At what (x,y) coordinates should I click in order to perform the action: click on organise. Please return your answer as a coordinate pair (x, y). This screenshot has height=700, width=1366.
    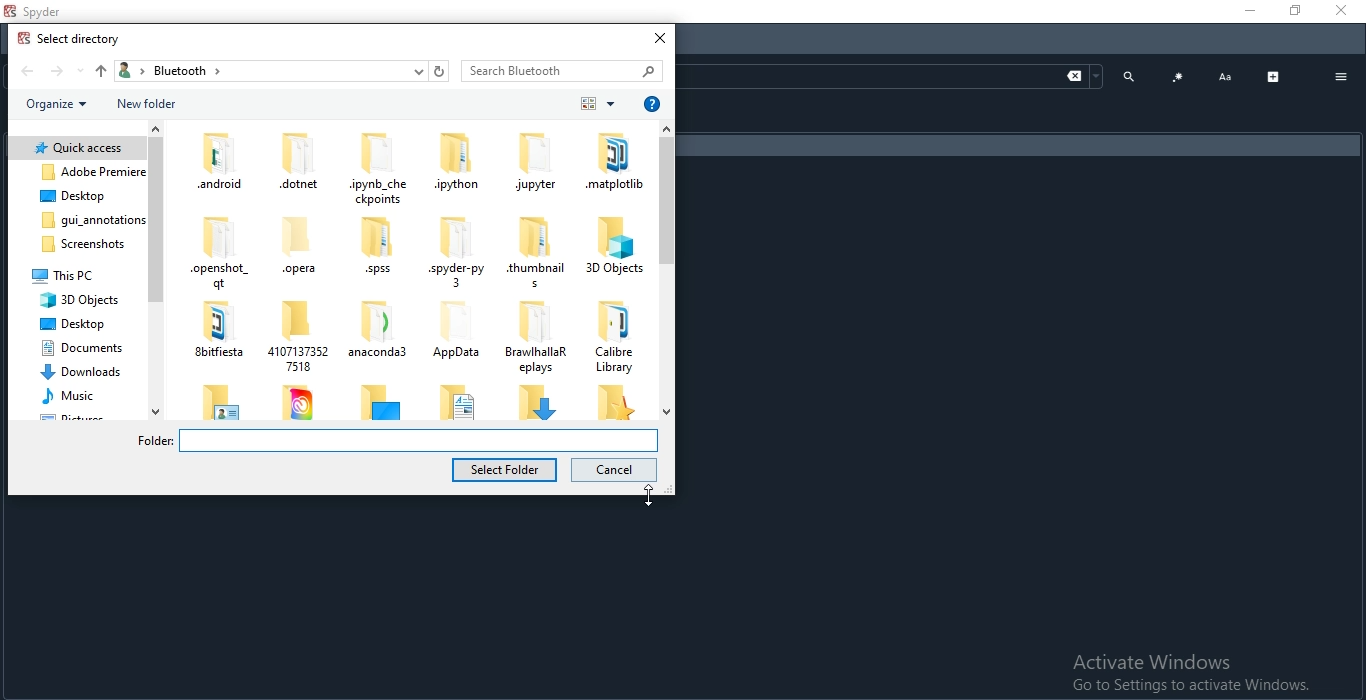
    Looking at the image, I should click on (54, 106).